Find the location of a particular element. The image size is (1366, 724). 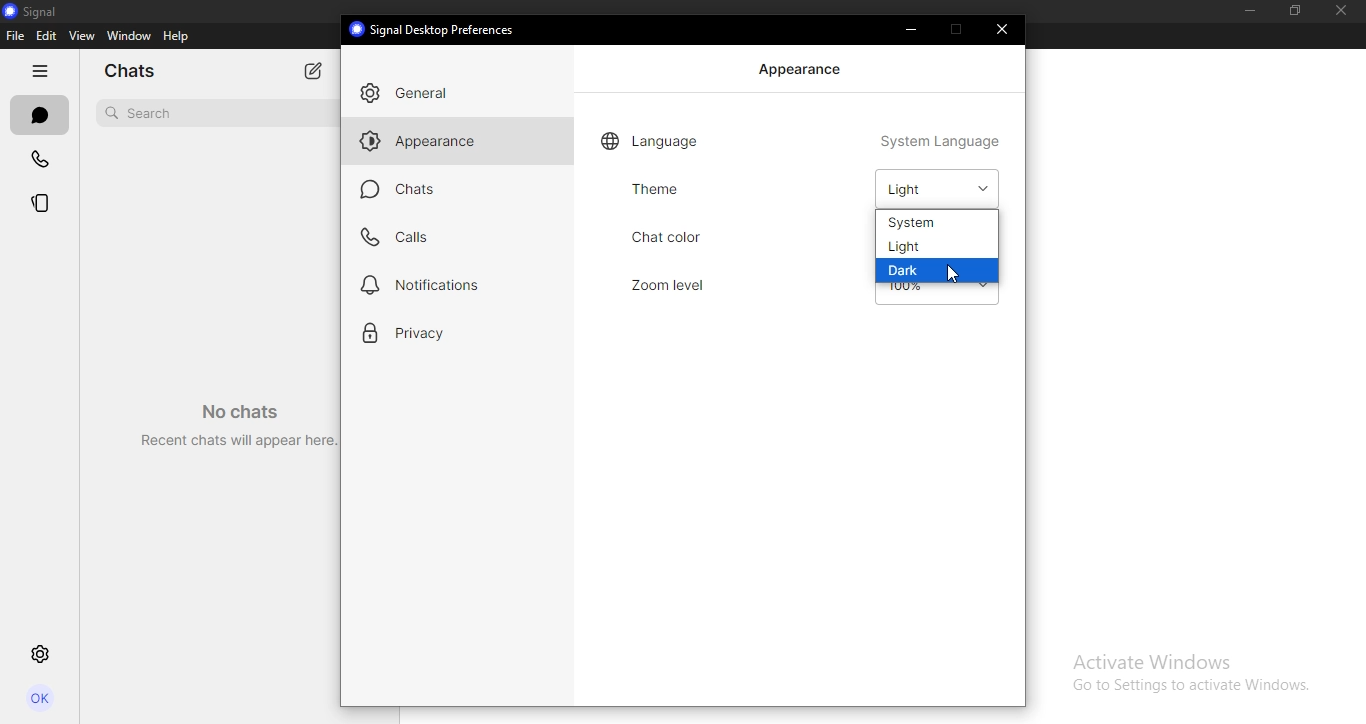

window is located at coordinates (128, 37).